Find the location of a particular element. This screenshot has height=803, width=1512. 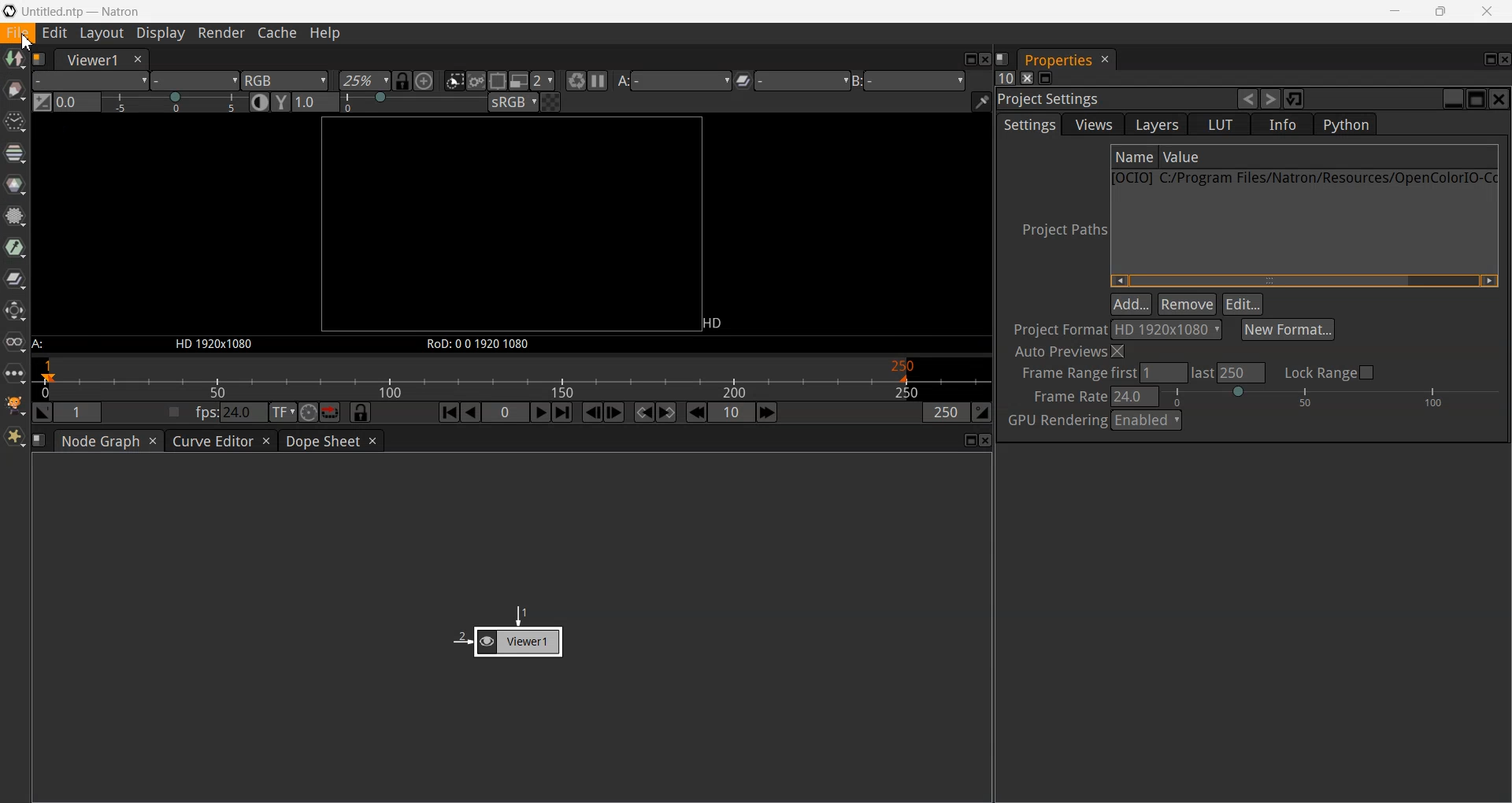

Maximize is located at coordinates (1491, 59).